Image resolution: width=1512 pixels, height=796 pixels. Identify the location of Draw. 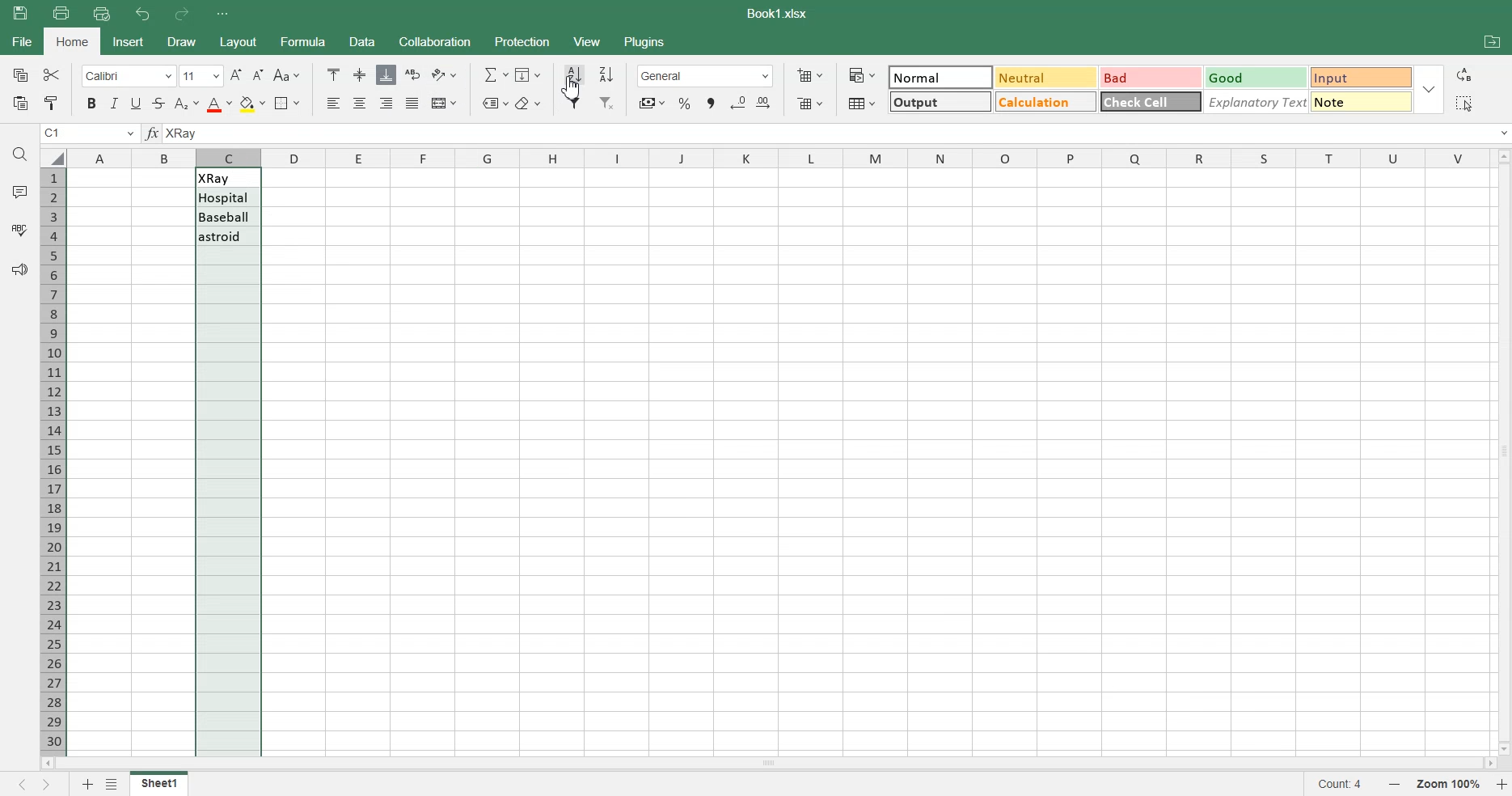
(179, 41).